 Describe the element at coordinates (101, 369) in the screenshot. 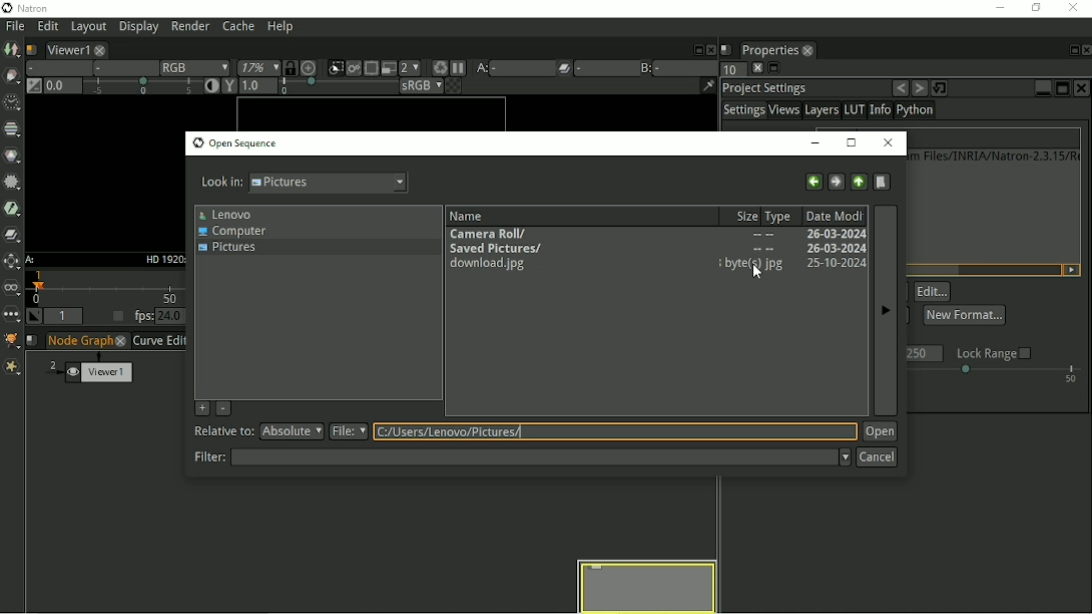

I see `Viewer1` at that location.